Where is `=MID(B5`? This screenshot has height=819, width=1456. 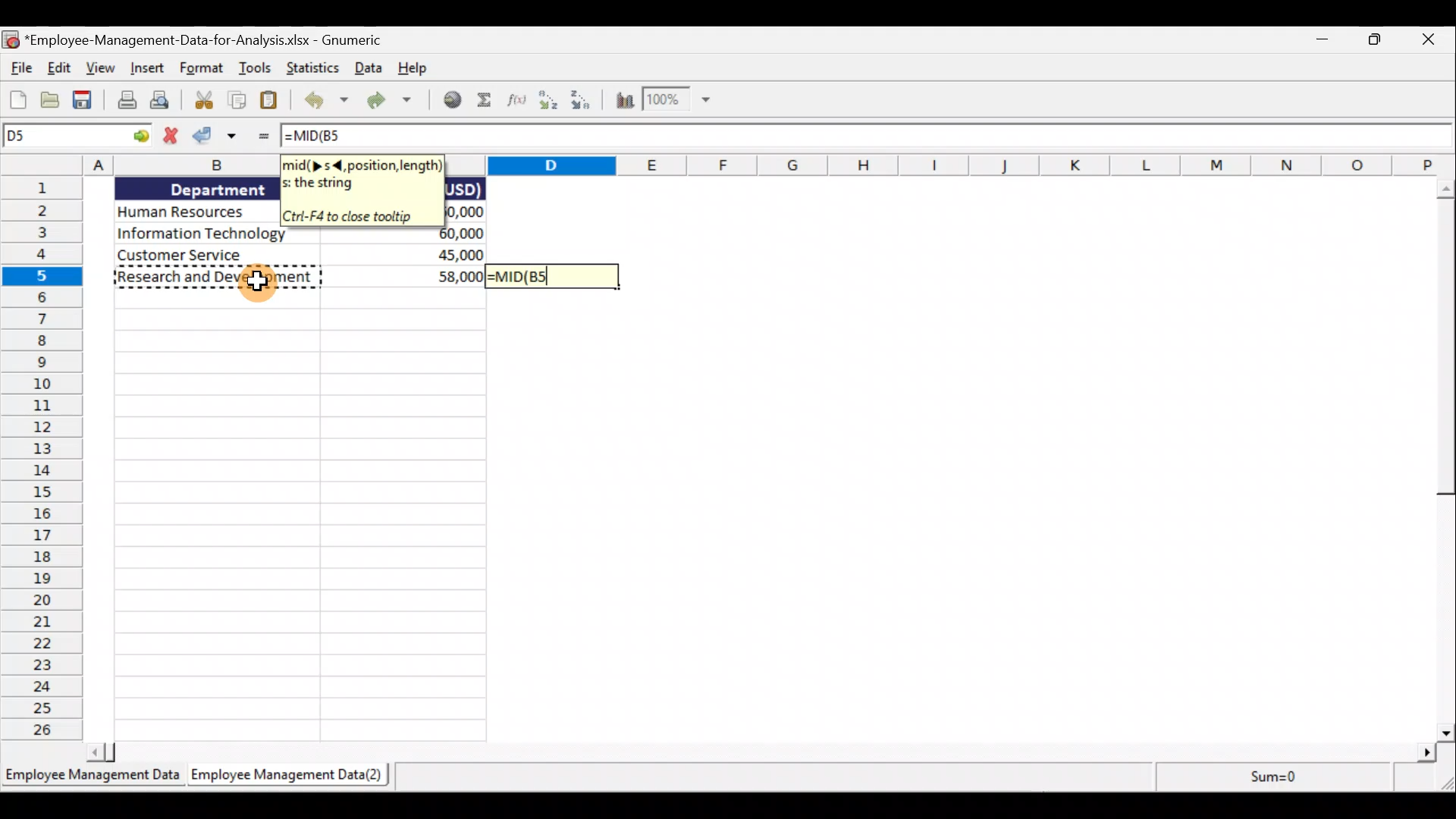 =MID(B5 is located at coordinates (867, 134).